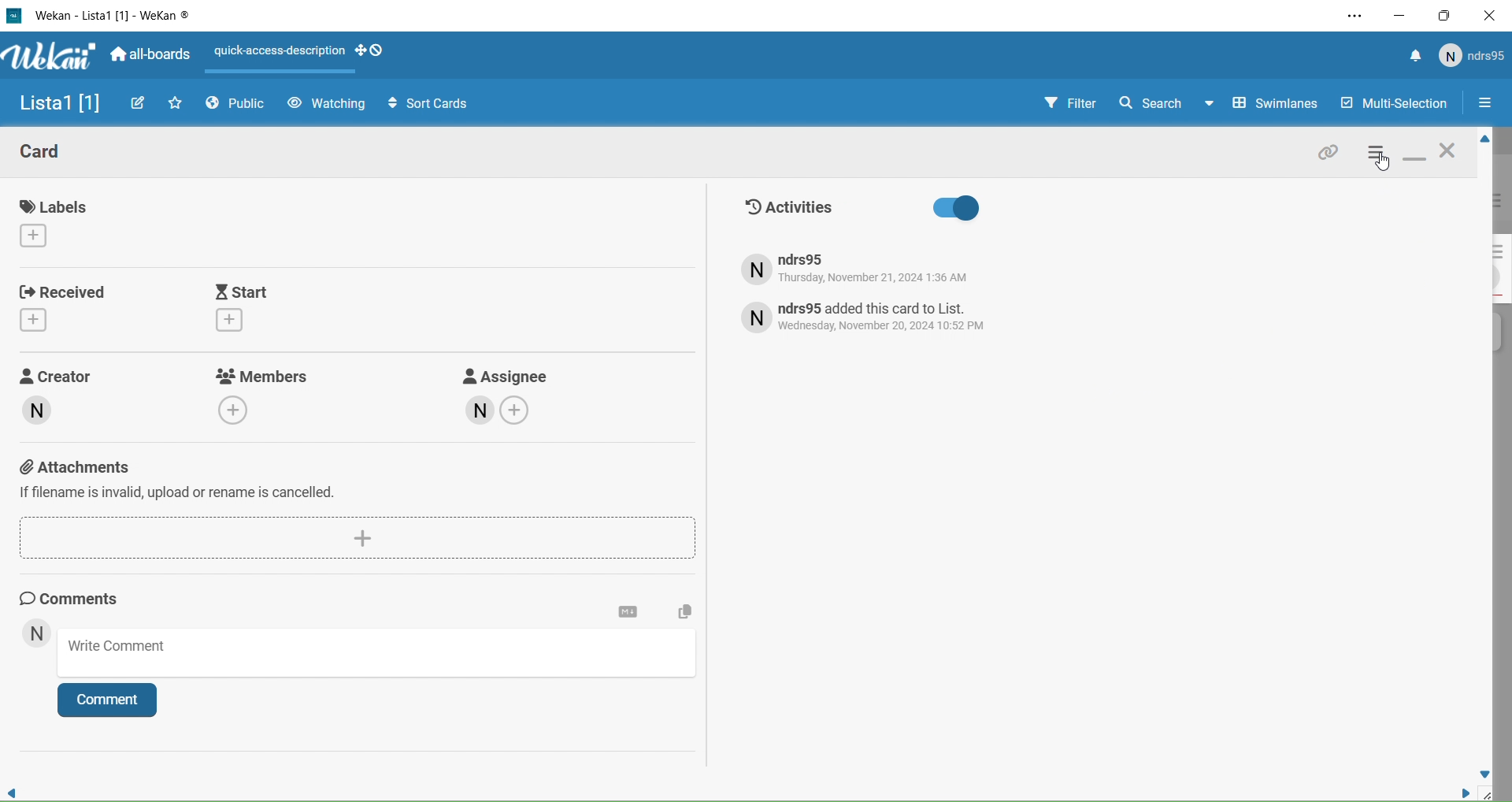 Image resolution: width=1512 pixels, height=802 pixels. What do you see at coordinates (380, 652) in the screenshot?
I see `Write Comment` at bounding box center [380, 652].